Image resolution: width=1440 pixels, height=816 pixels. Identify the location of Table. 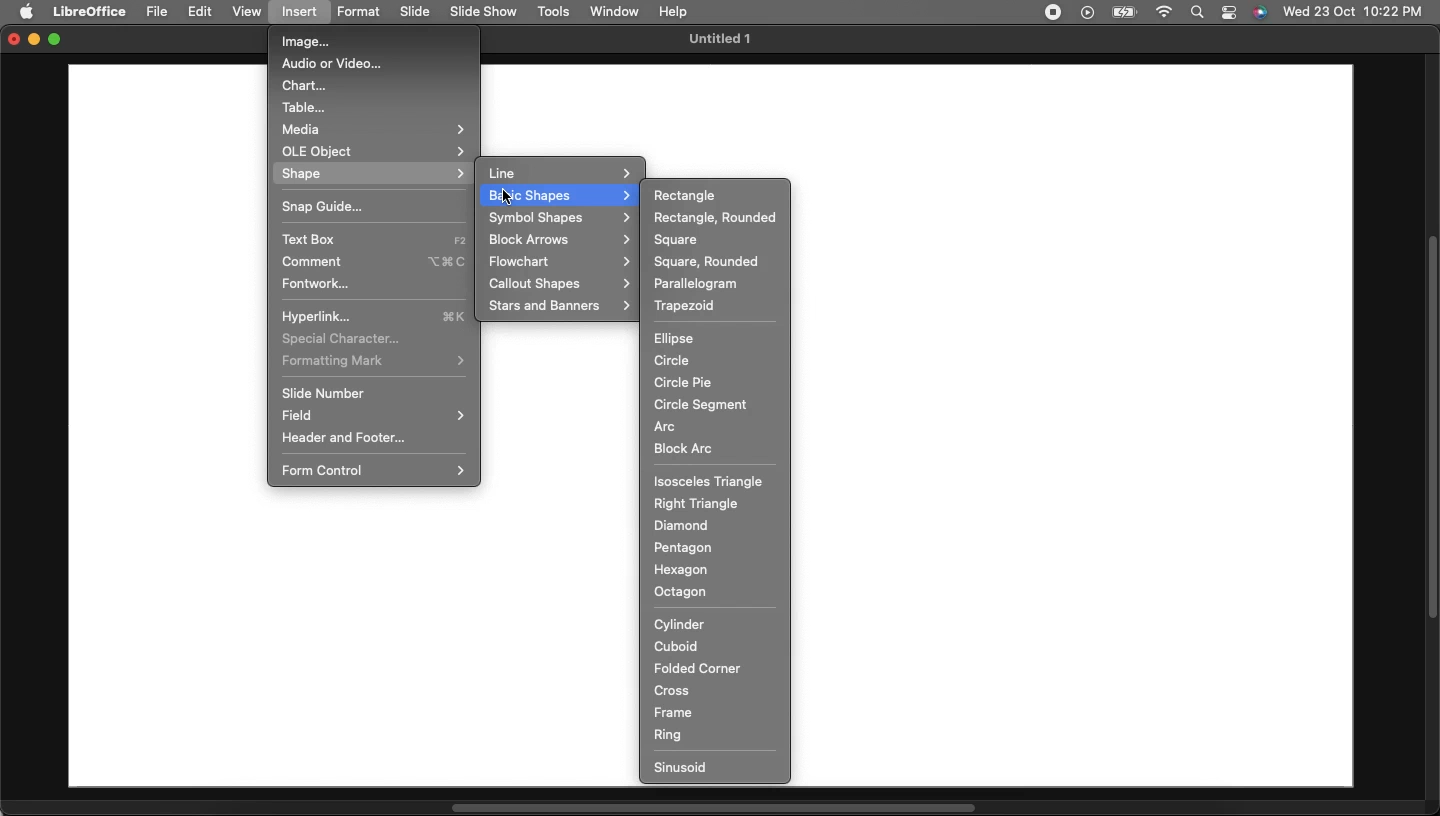
(307, 107).